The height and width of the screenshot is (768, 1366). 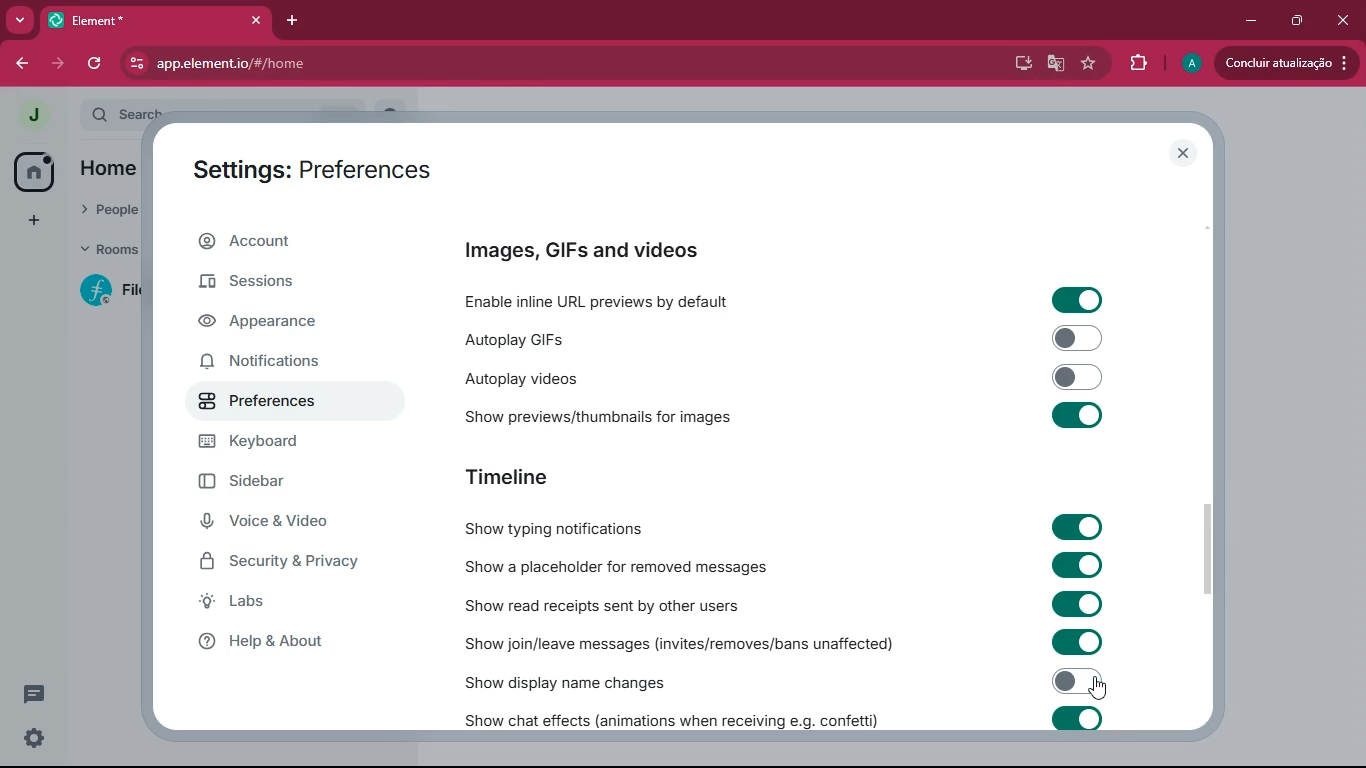 I want to click on tab, so click(x=128, y=21).